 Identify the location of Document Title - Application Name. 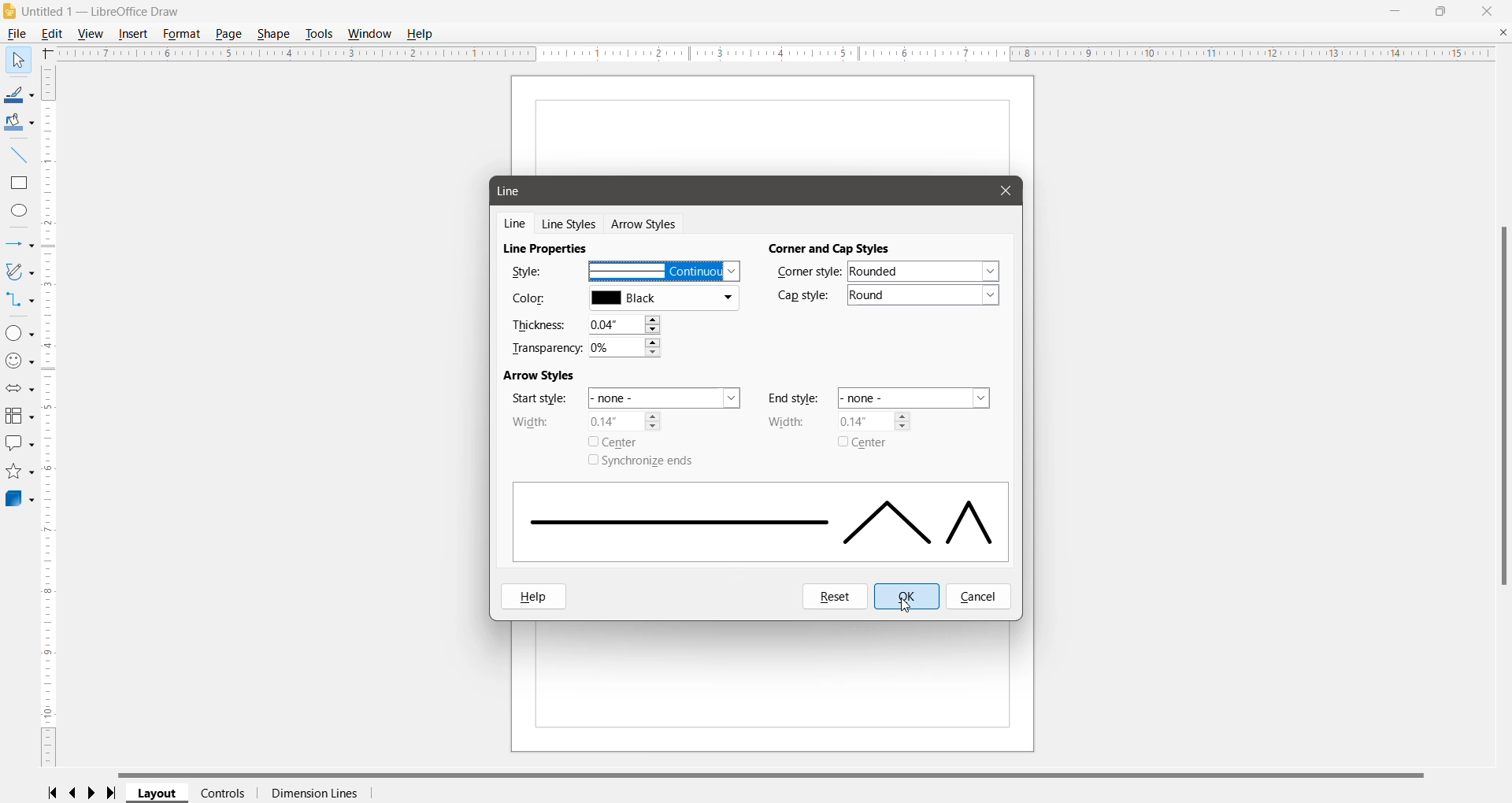
(108, 12).